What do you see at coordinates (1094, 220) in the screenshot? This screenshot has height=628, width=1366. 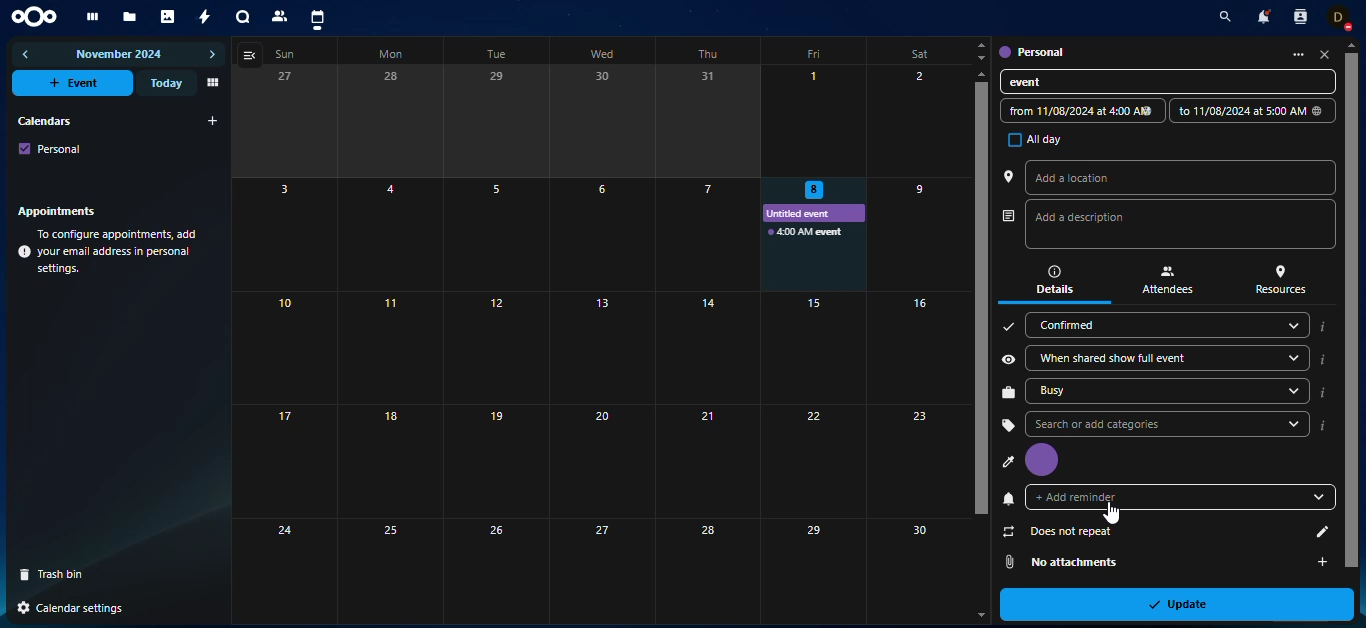 I see `description` at bounding box center [1094, 220].